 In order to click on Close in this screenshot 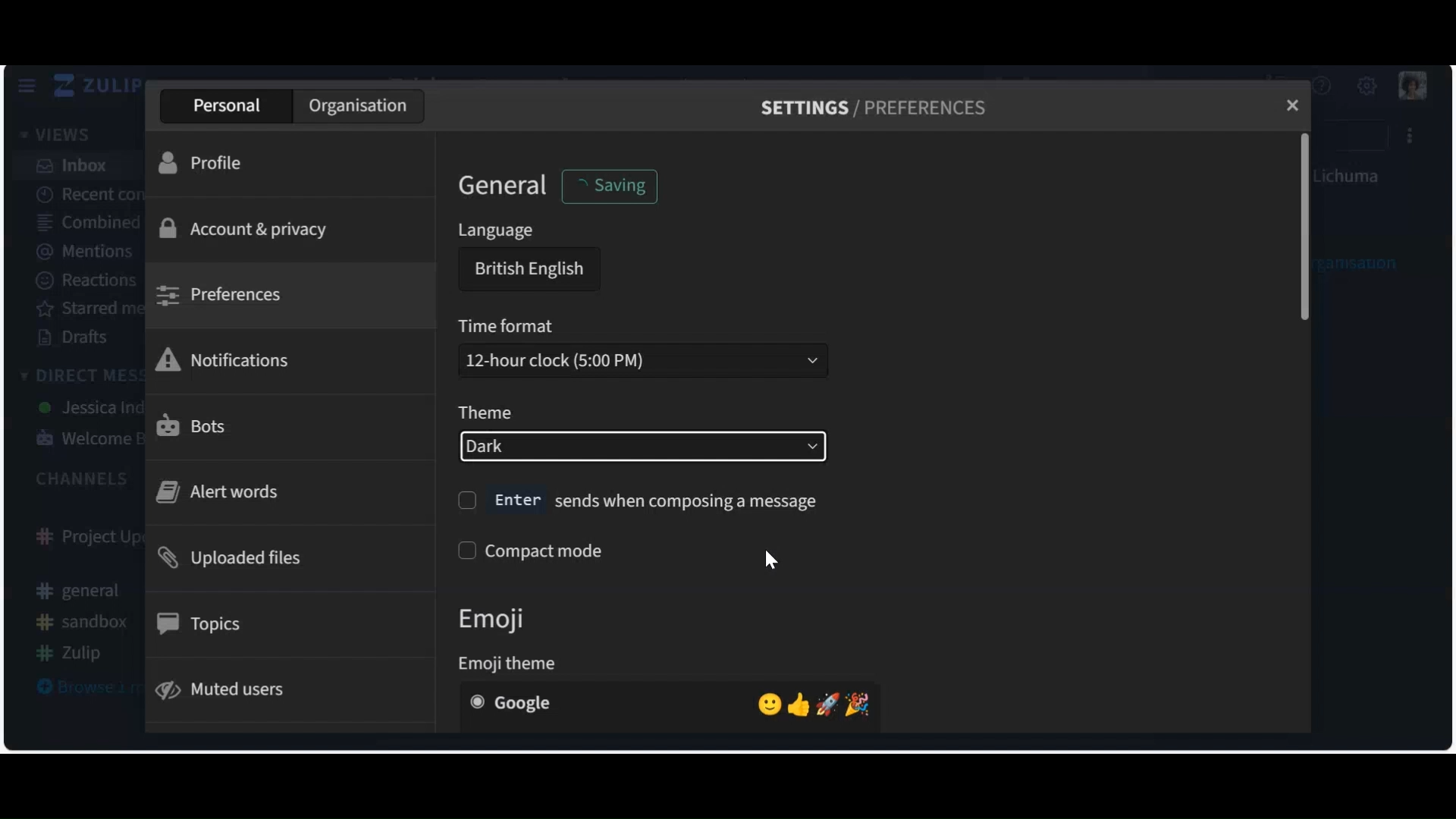, I will do `click(1291, 106)`.